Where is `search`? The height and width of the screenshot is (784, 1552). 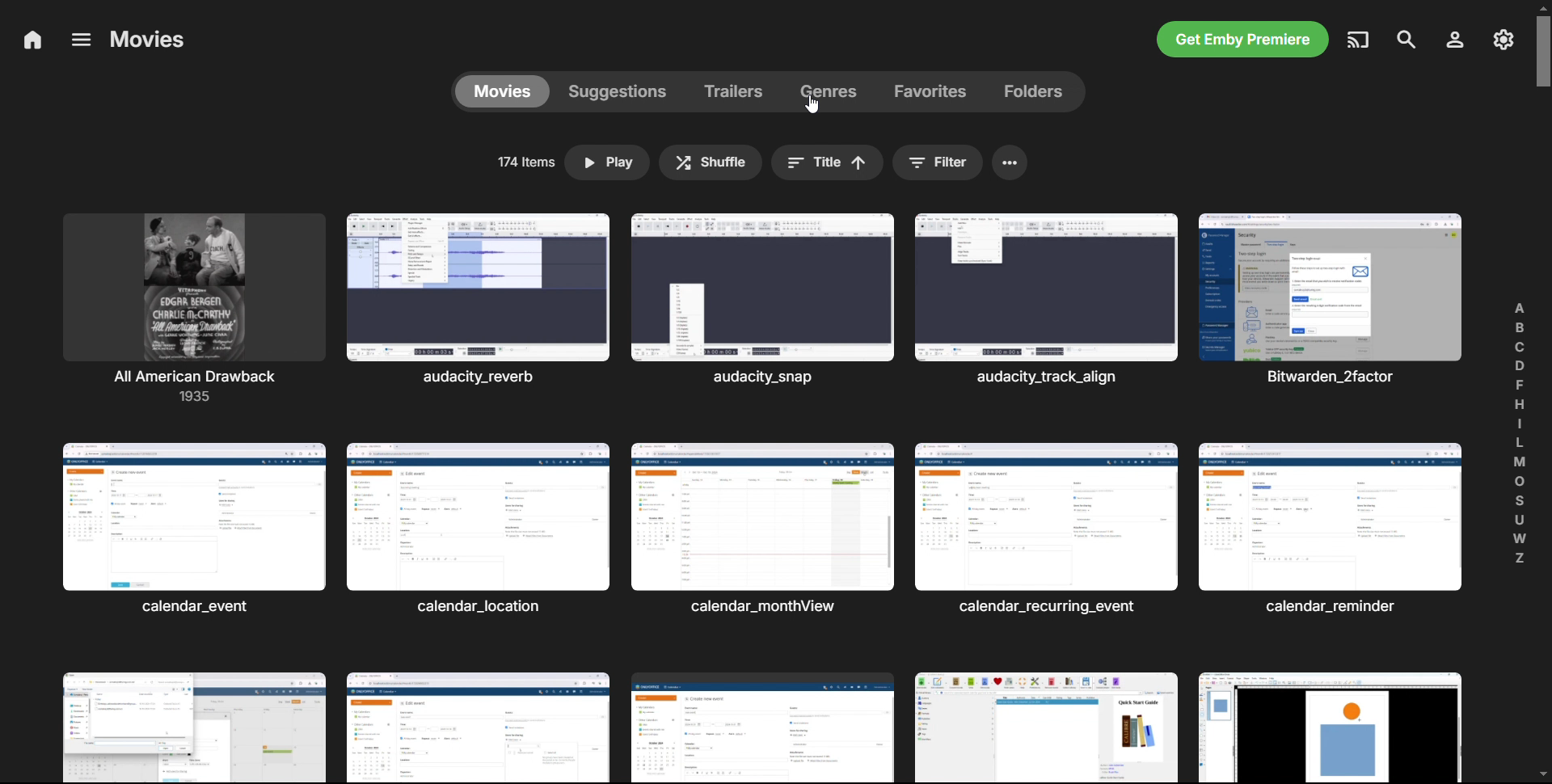
search is located at coordinates (1406, 40).